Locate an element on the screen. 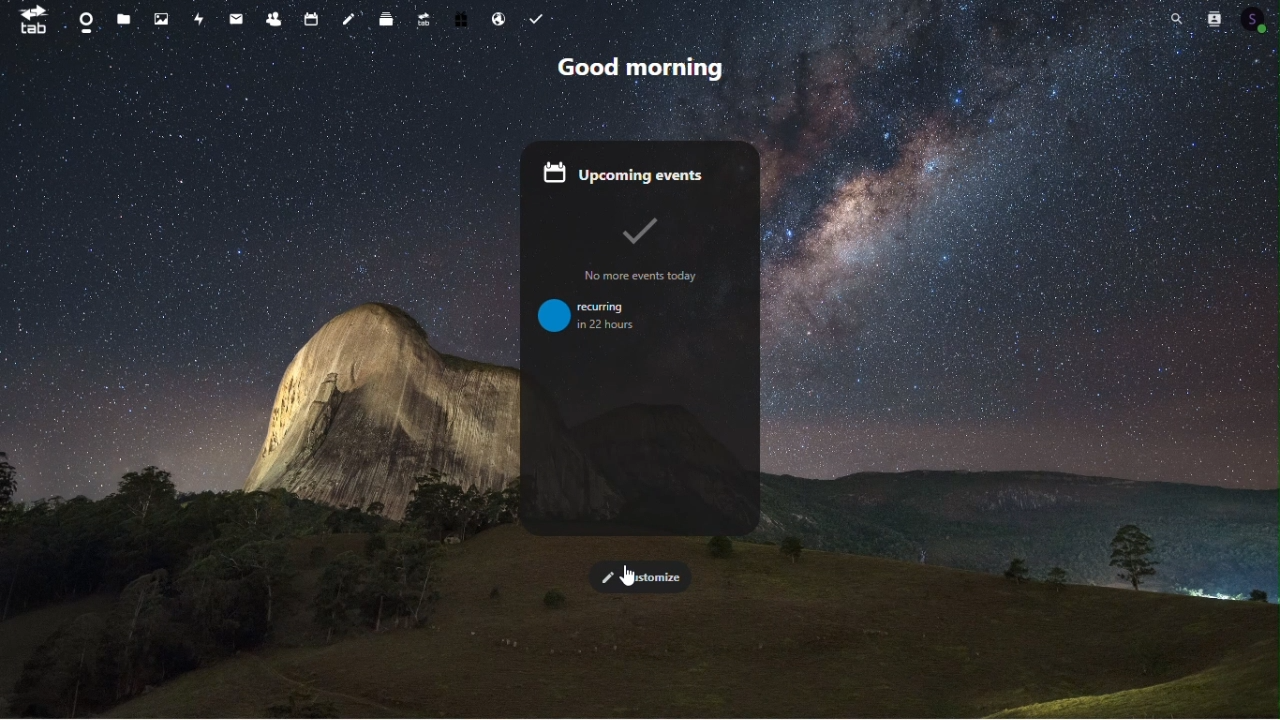  Email hosting is located at coordinates (501, 18).